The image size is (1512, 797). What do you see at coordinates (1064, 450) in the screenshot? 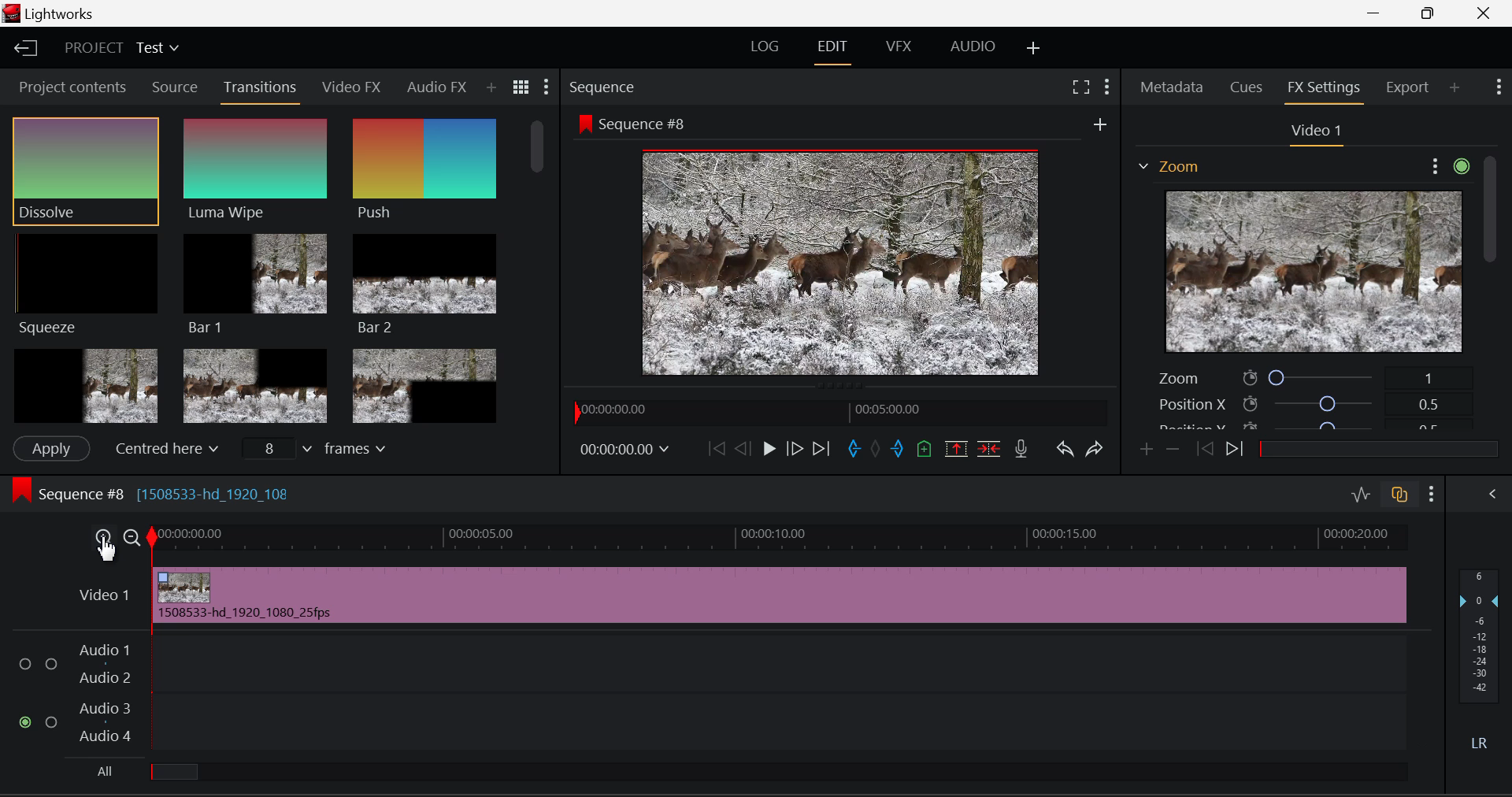
I see `Undo` at bounding box center [1064, 450].